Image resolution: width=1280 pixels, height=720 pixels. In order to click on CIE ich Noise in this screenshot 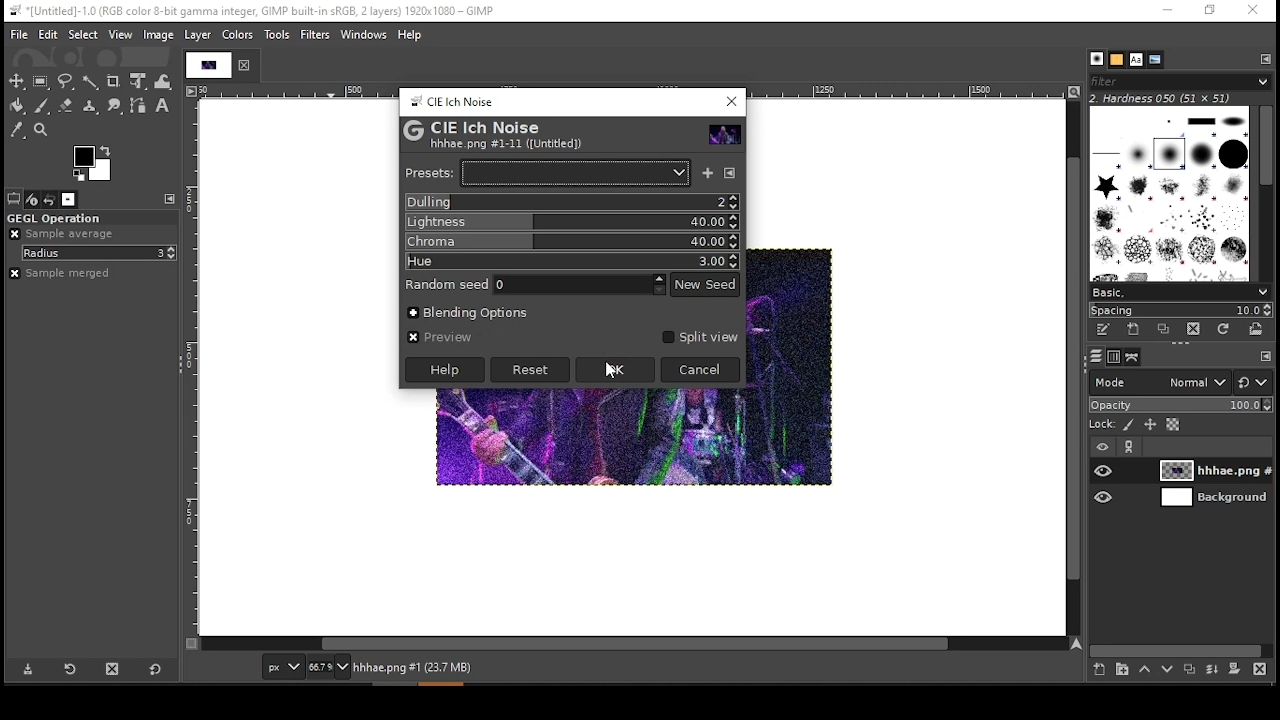, I will do `click(459, 101)`.